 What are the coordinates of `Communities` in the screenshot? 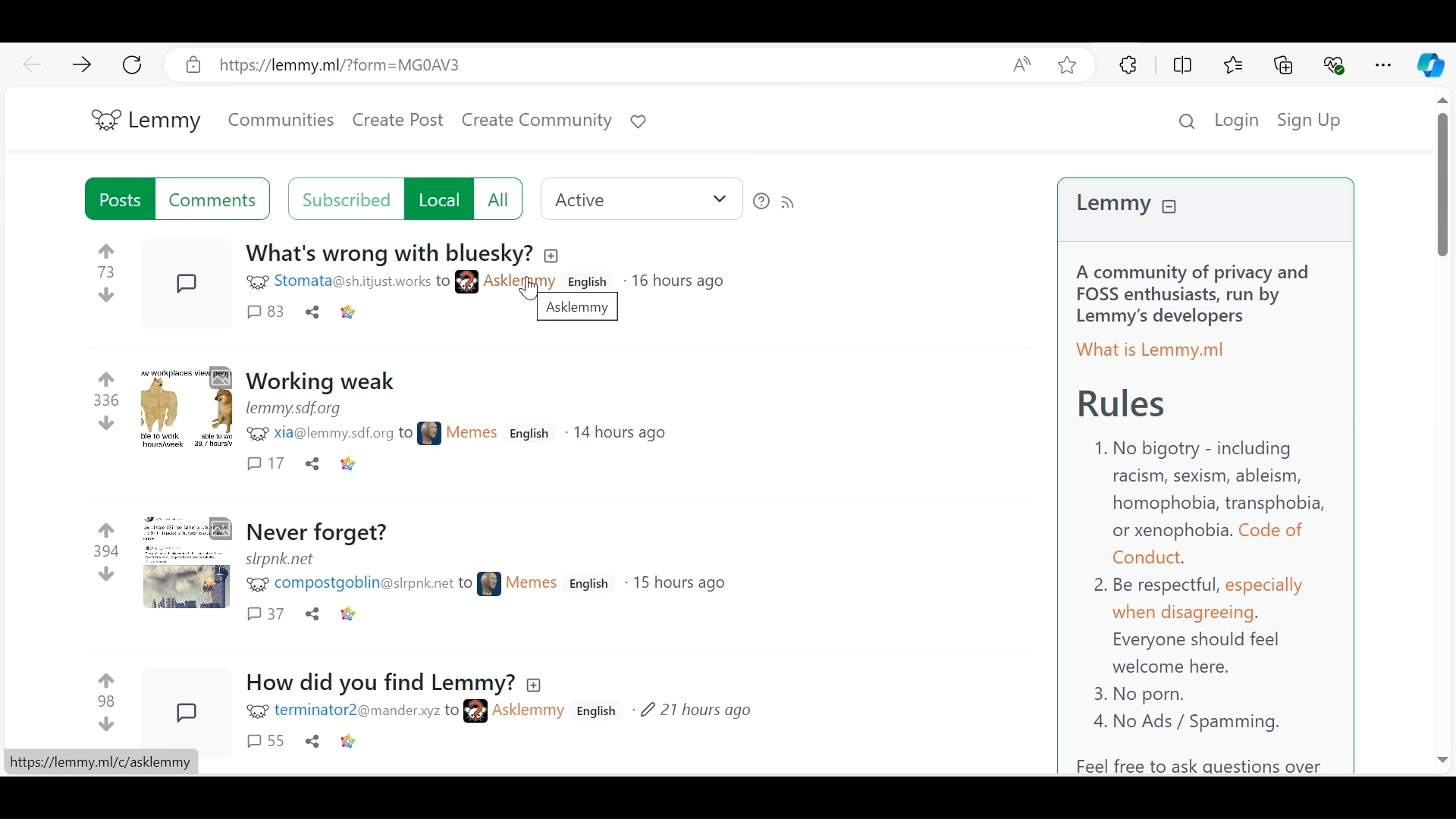 It's located at (281, 121).